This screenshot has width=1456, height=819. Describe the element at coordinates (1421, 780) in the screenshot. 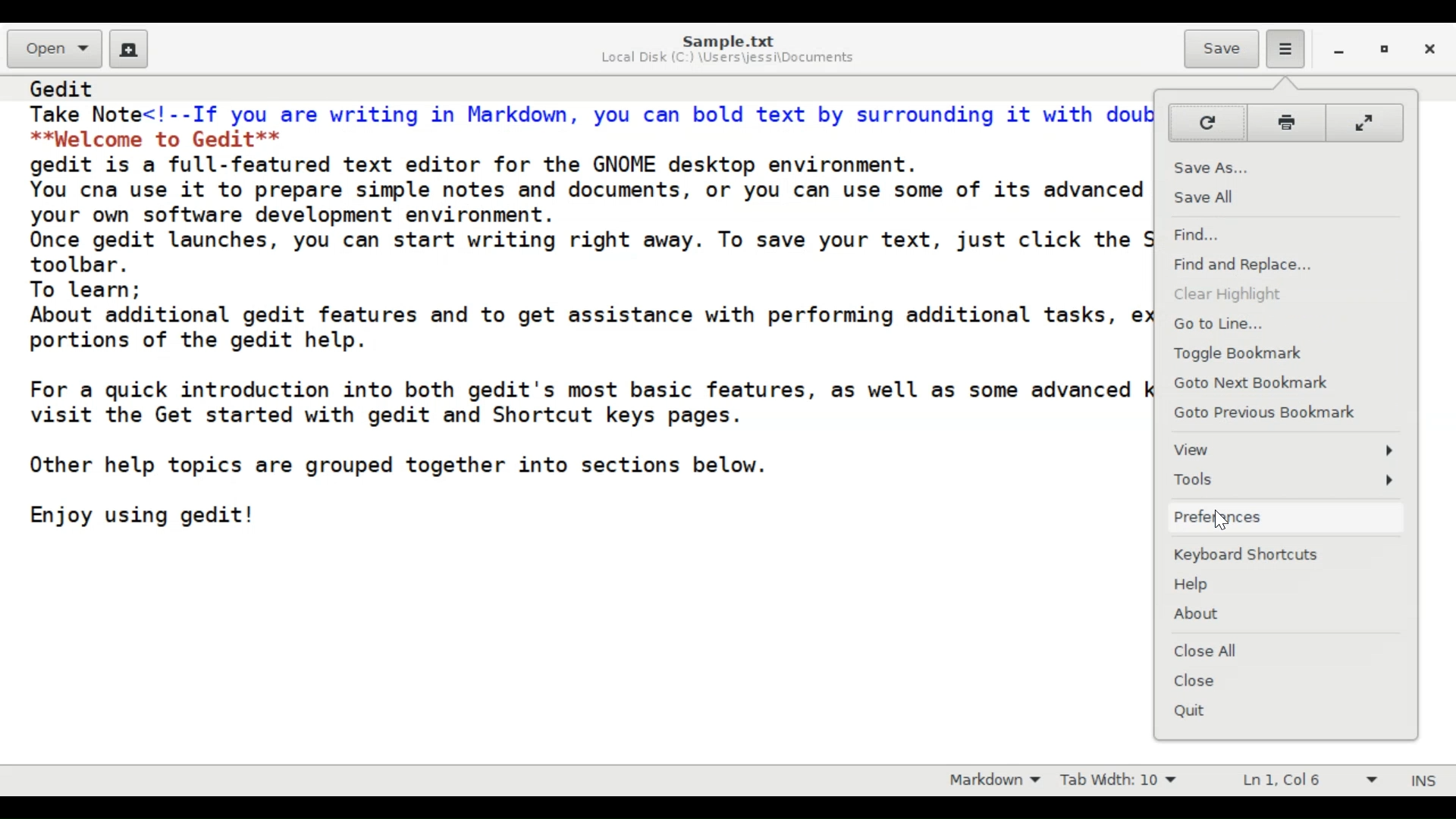

I see `Insert mode (INS)` at that location.